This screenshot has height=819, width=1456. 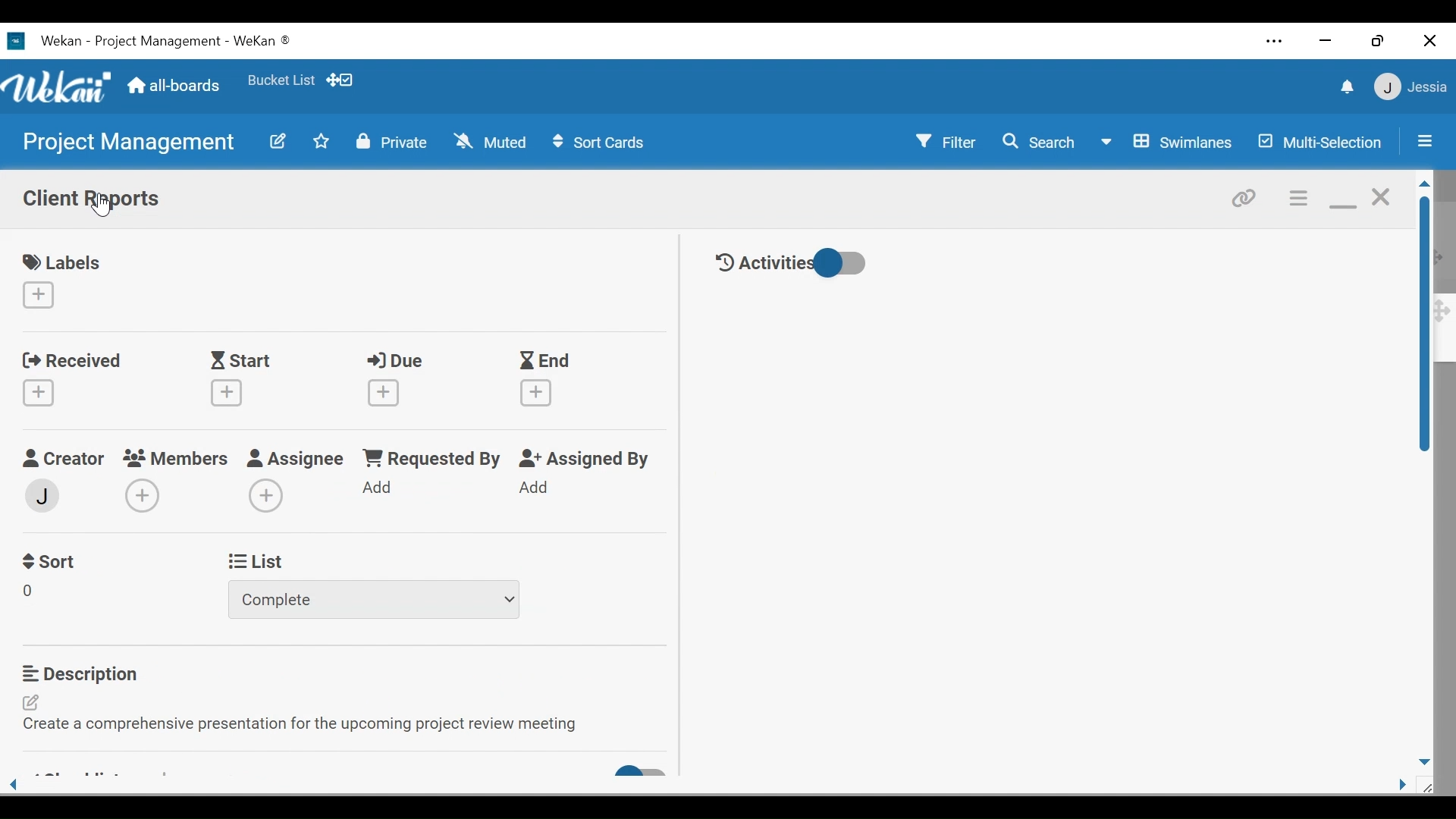 I want to click on Close, so click(x=1381, y=196).